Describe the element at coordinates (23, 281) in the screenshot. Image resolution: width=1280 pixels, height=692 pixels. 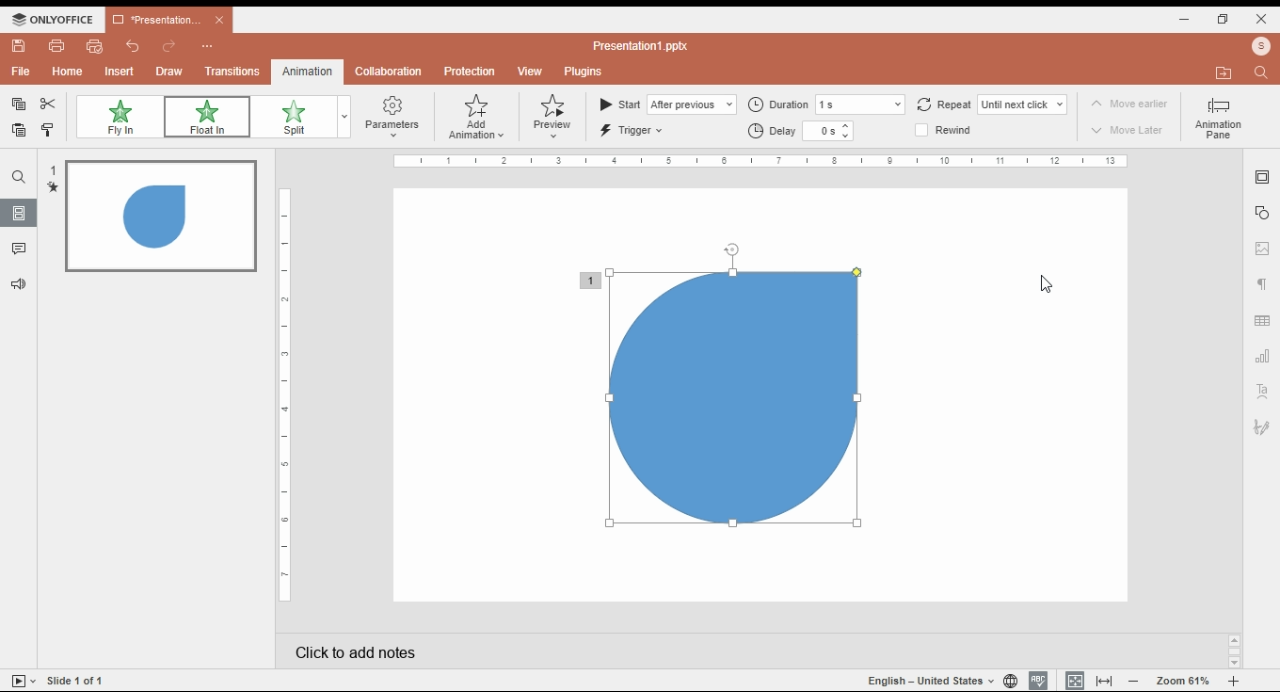
I see `feedback and supportslide ` at that location.